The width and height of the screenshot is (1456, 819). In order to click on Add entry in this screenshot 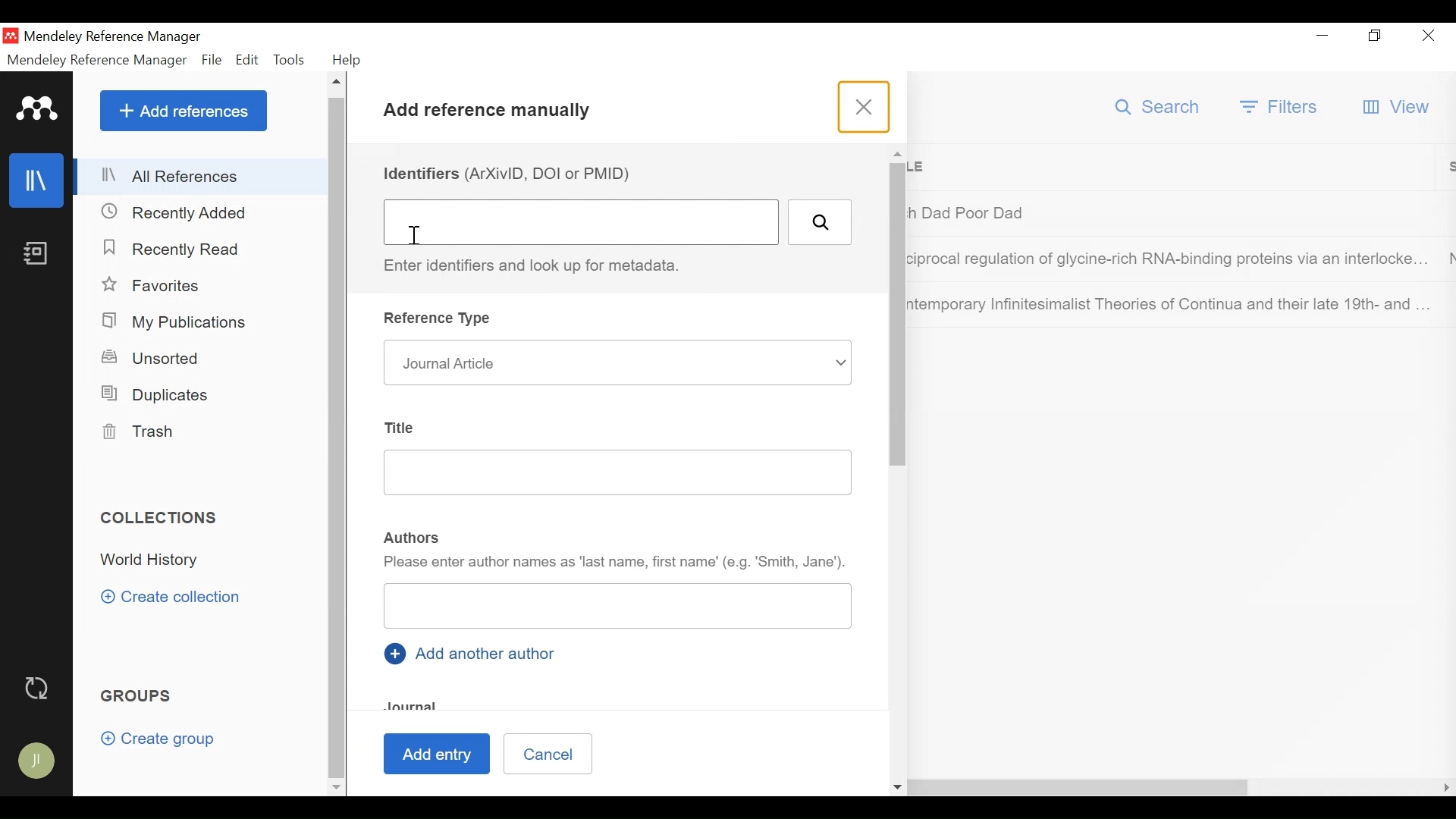, I will do `click(441, 754)`.